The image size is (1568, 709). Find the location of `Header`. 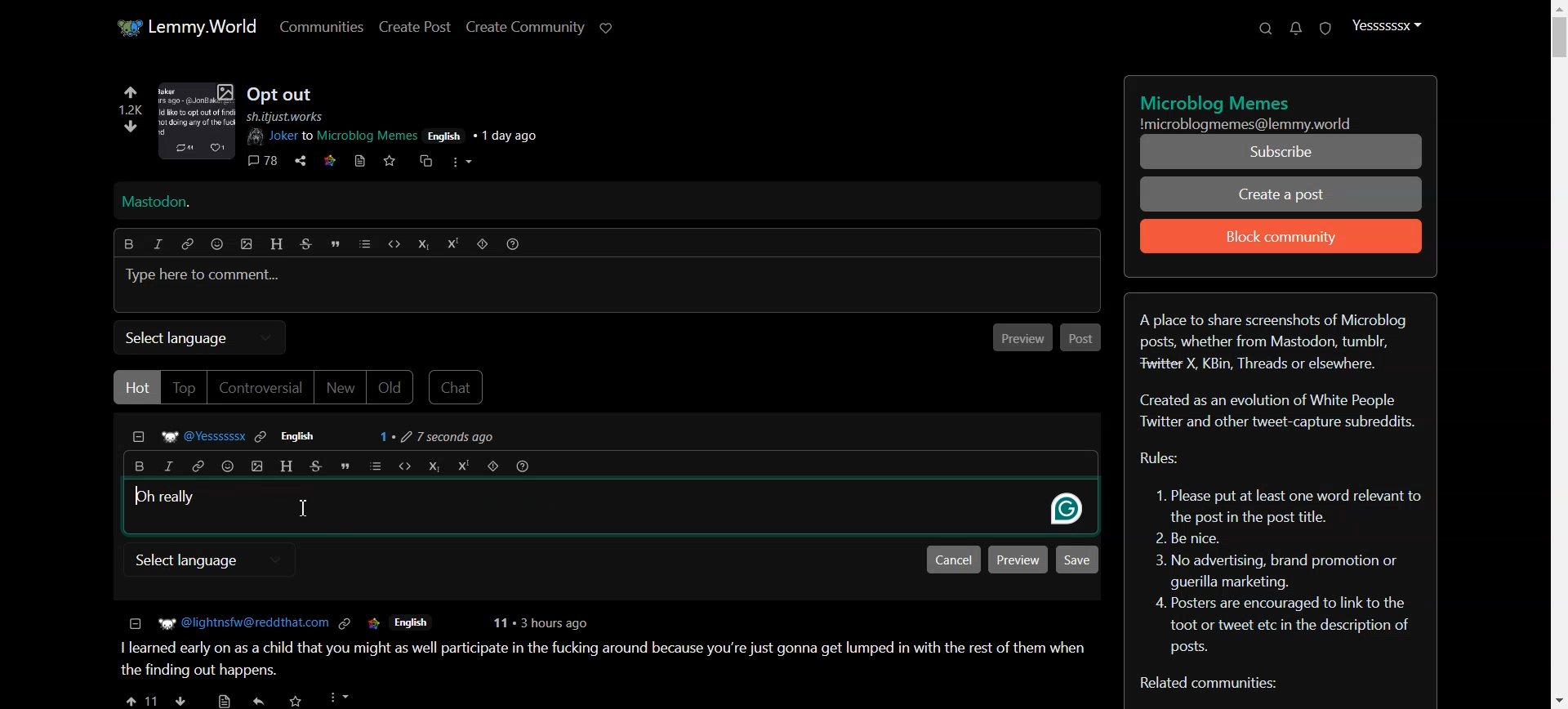

Header is located at coordinates (283, 465).